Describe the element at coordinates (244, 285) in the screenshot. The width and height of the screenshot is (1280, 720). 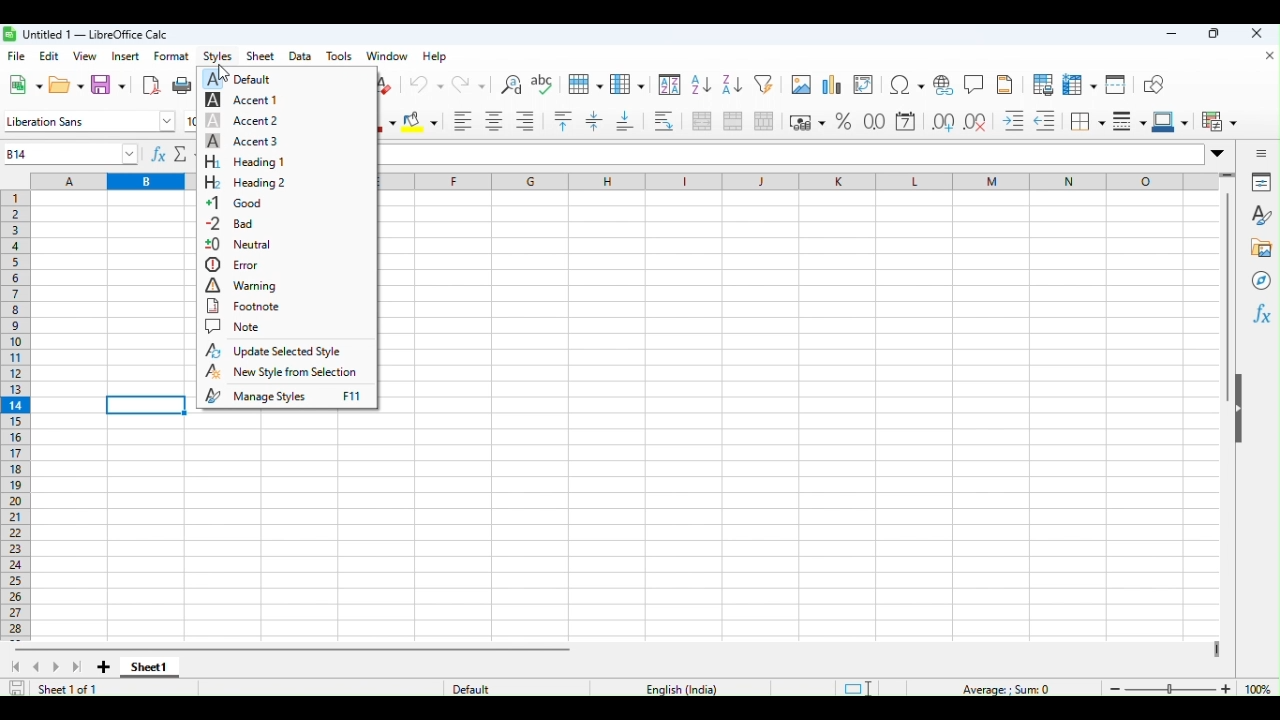
I see `warning` at that location.